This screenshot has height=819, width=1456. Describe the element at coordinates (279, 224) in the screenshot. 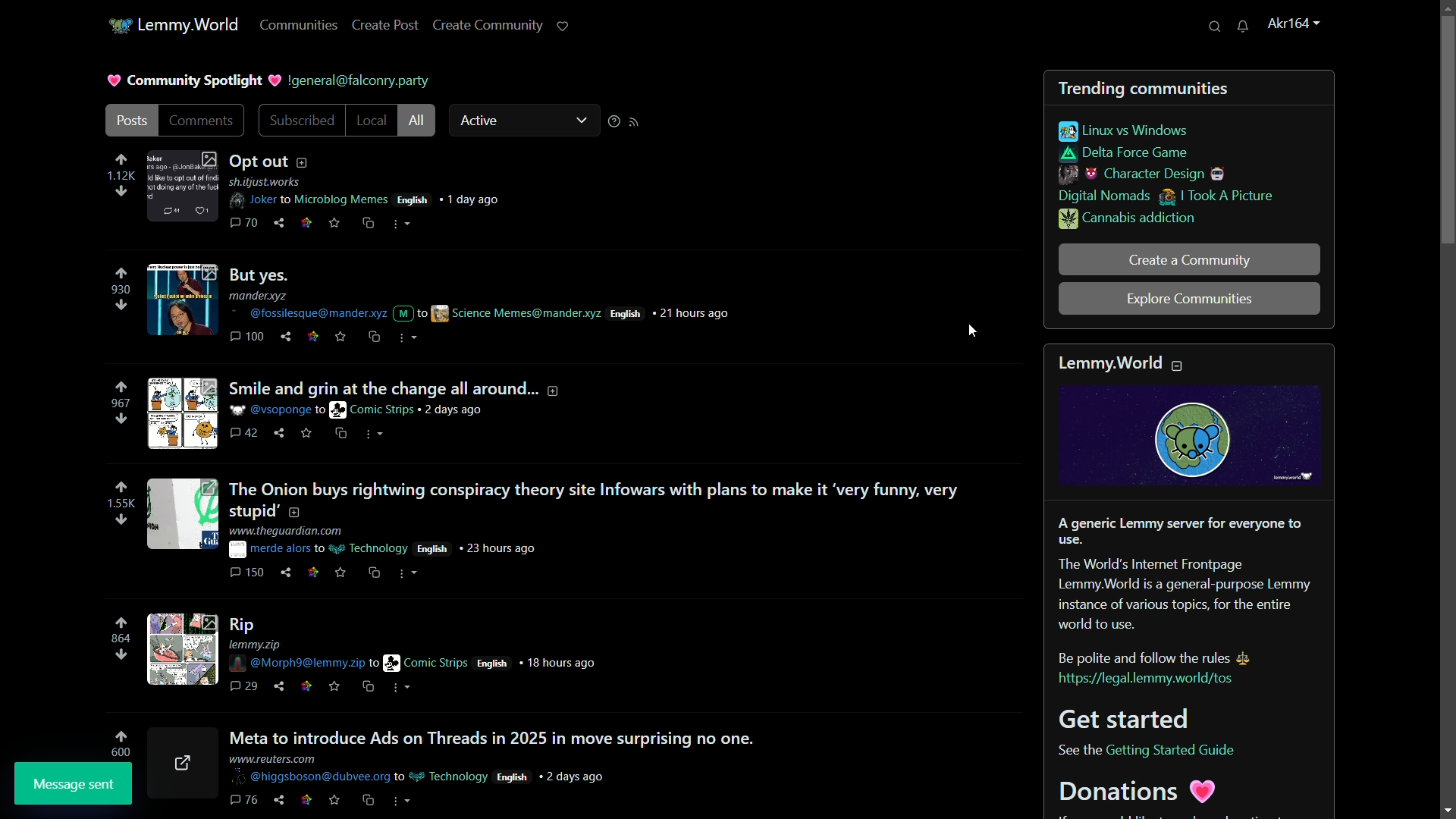

I see `share` at that location.